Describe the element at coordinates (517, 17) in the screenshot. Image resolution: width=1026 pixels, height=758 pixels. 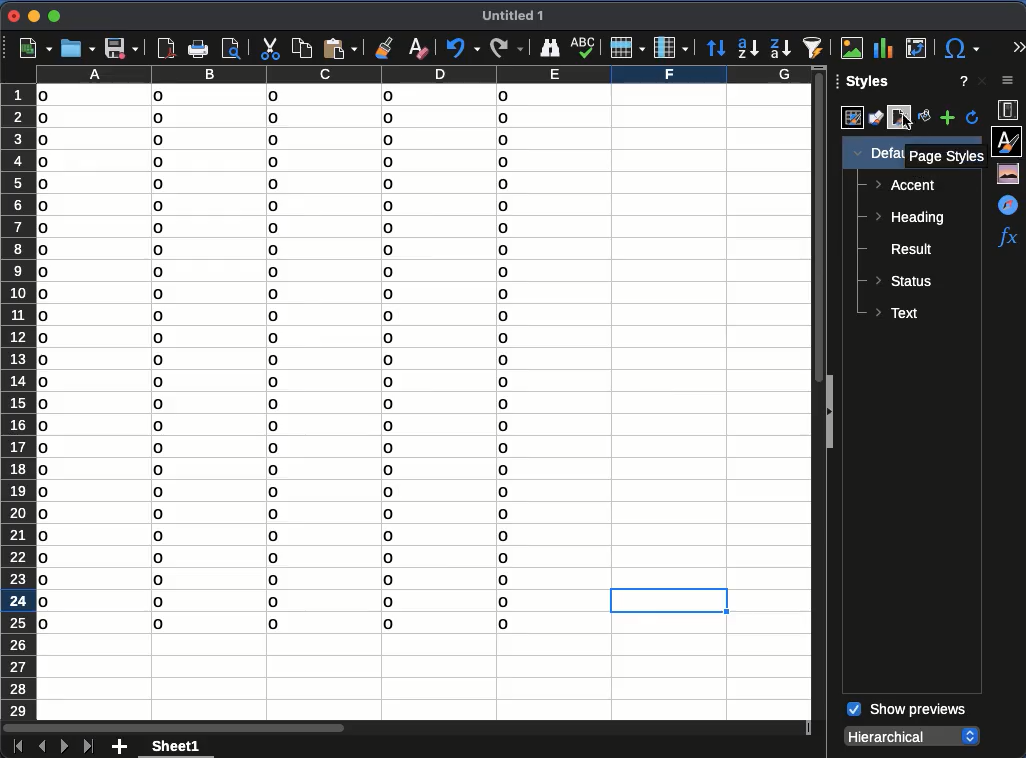
I see `untitled` at that location.